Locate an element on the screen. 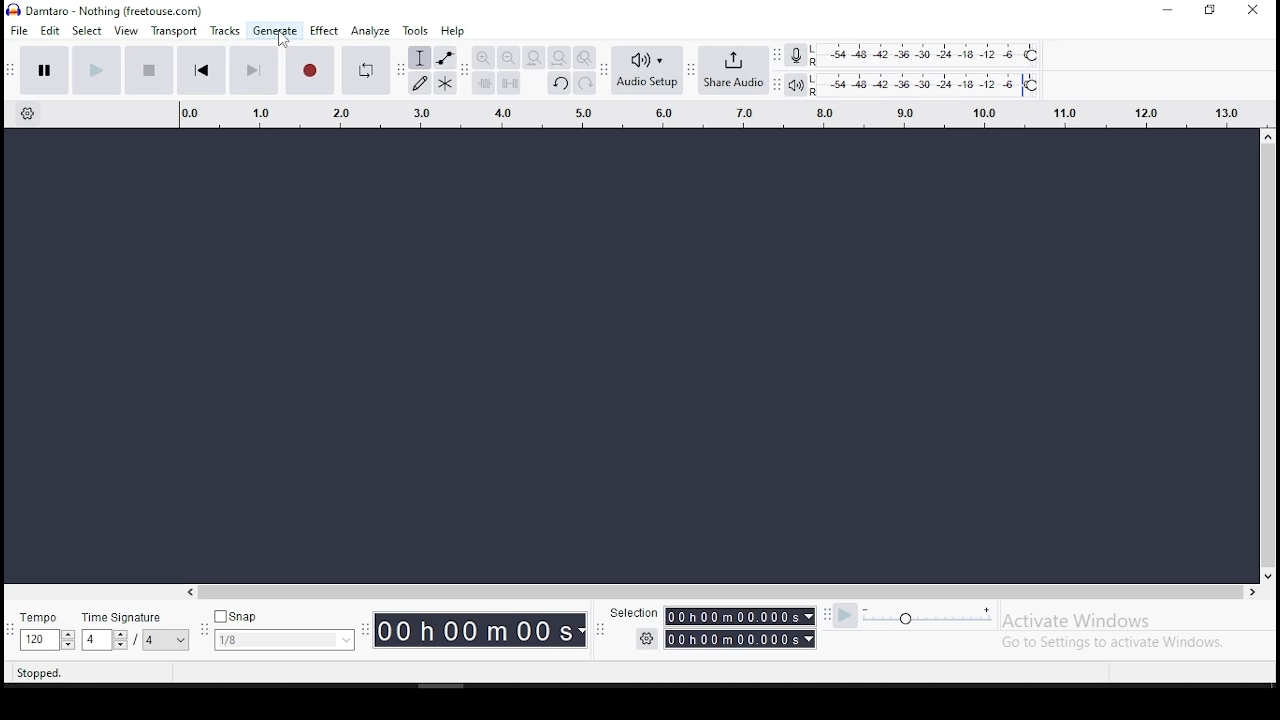 Image resolution: width=1280 pixels, height=720 pixels. pause is located at coordinates (45, 69).